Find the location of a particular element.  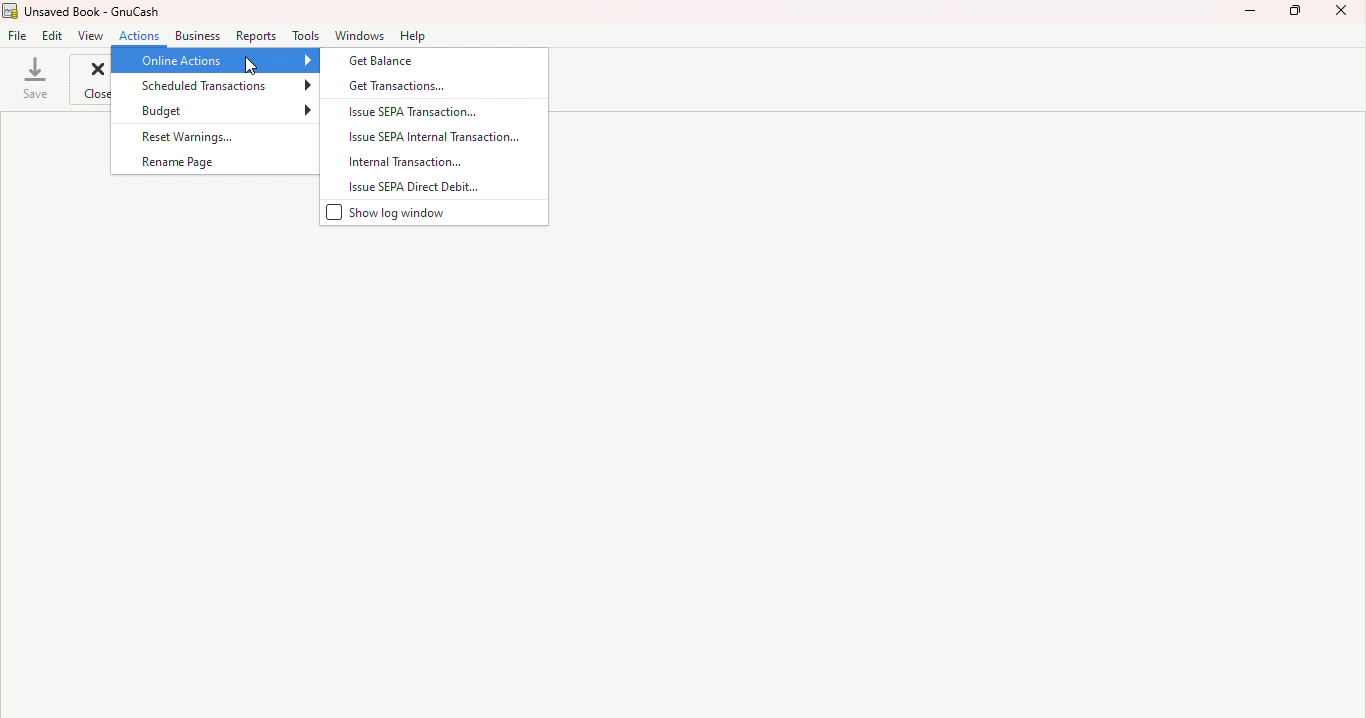

Get transactions is located at coordinates (441, 88).